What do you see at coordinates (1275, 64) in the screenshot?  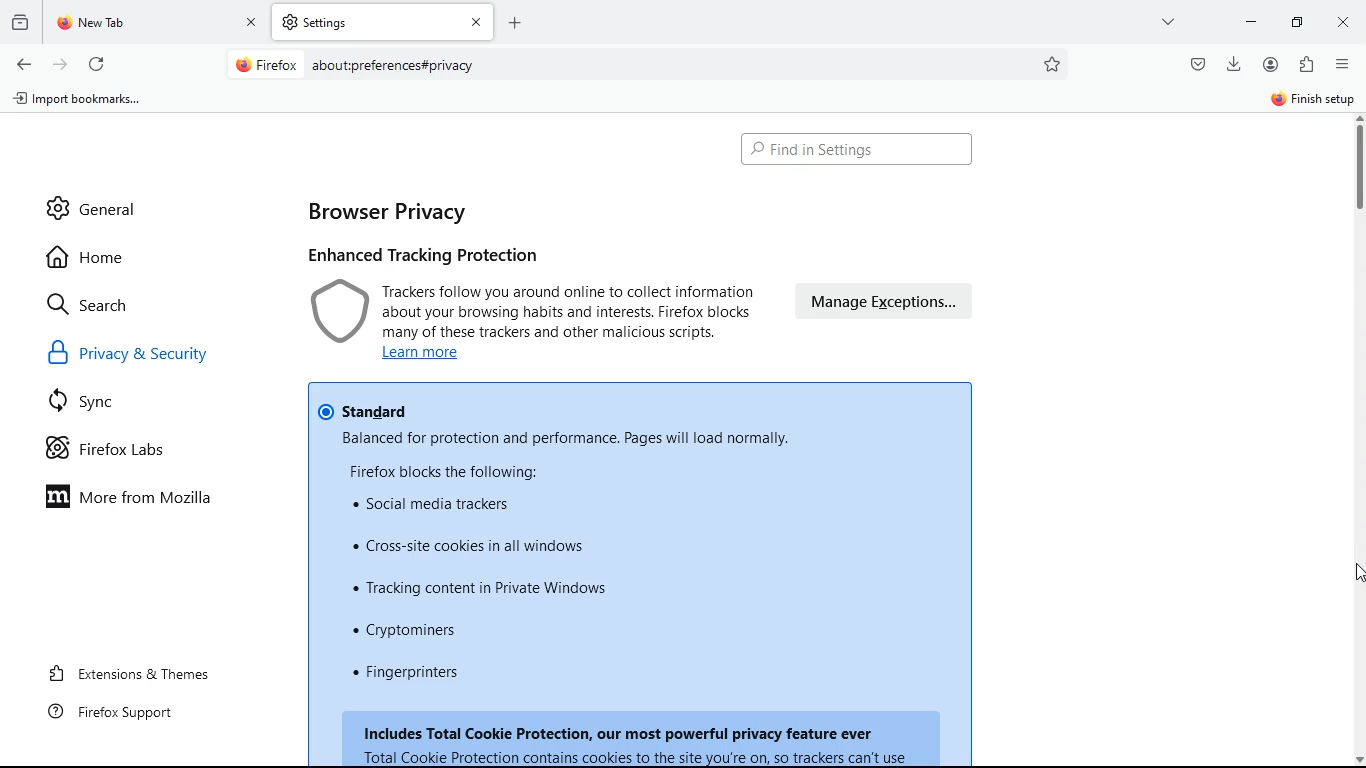 I see `profile` at bounding box center [1275, 64].